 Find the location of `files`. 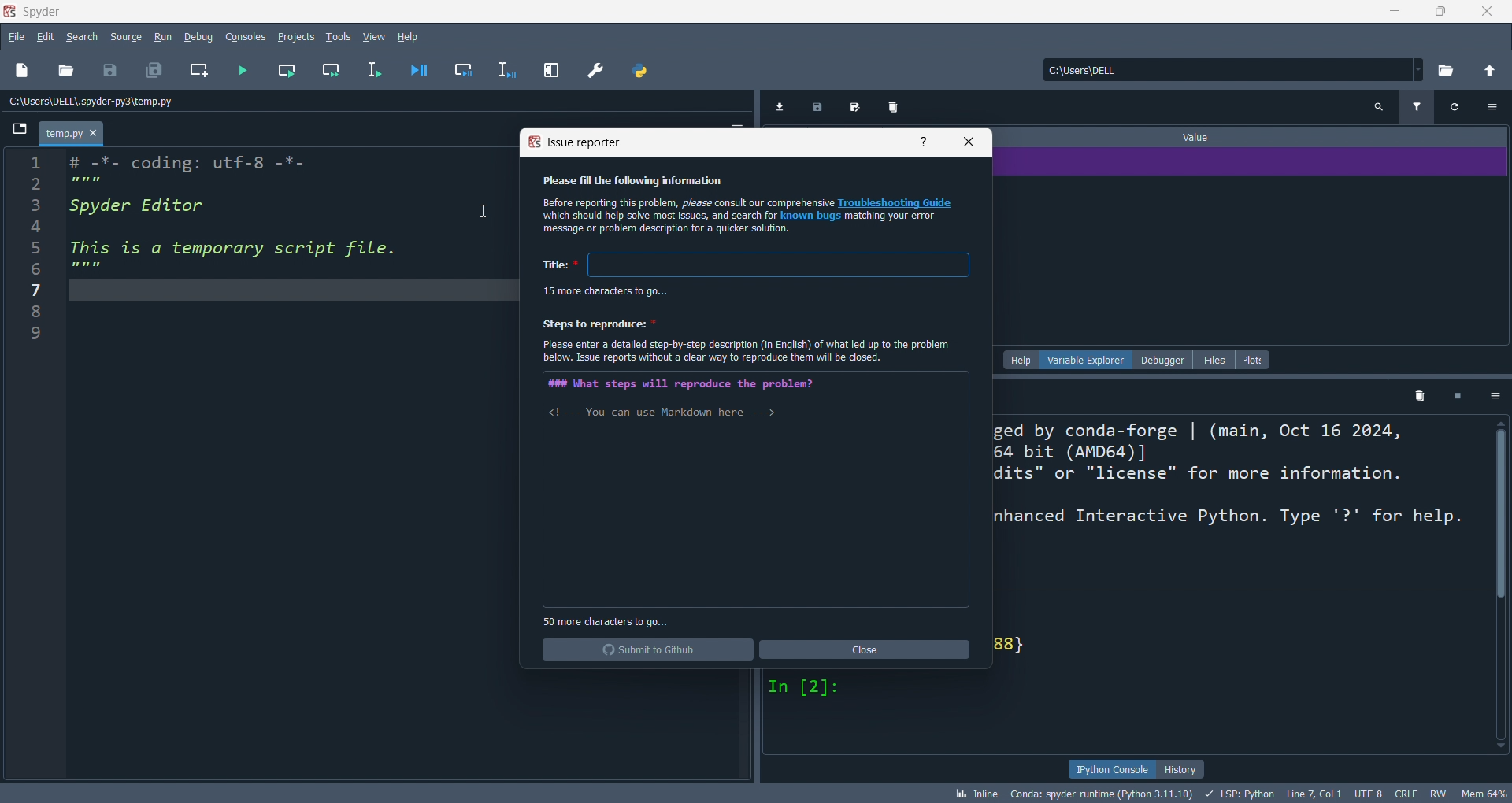

files is located at coordinates (1217, 359).